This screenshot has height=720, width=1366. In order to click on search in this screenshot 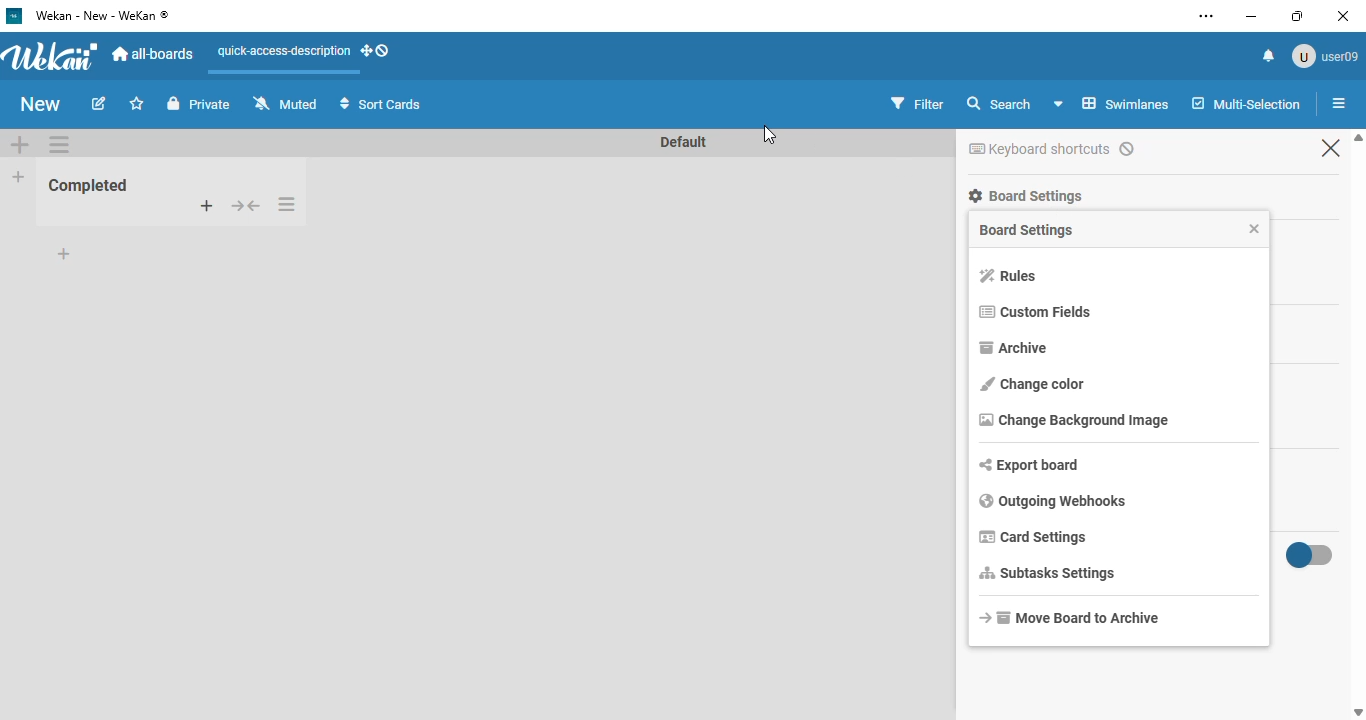, I will do `click(1001, 104)`.